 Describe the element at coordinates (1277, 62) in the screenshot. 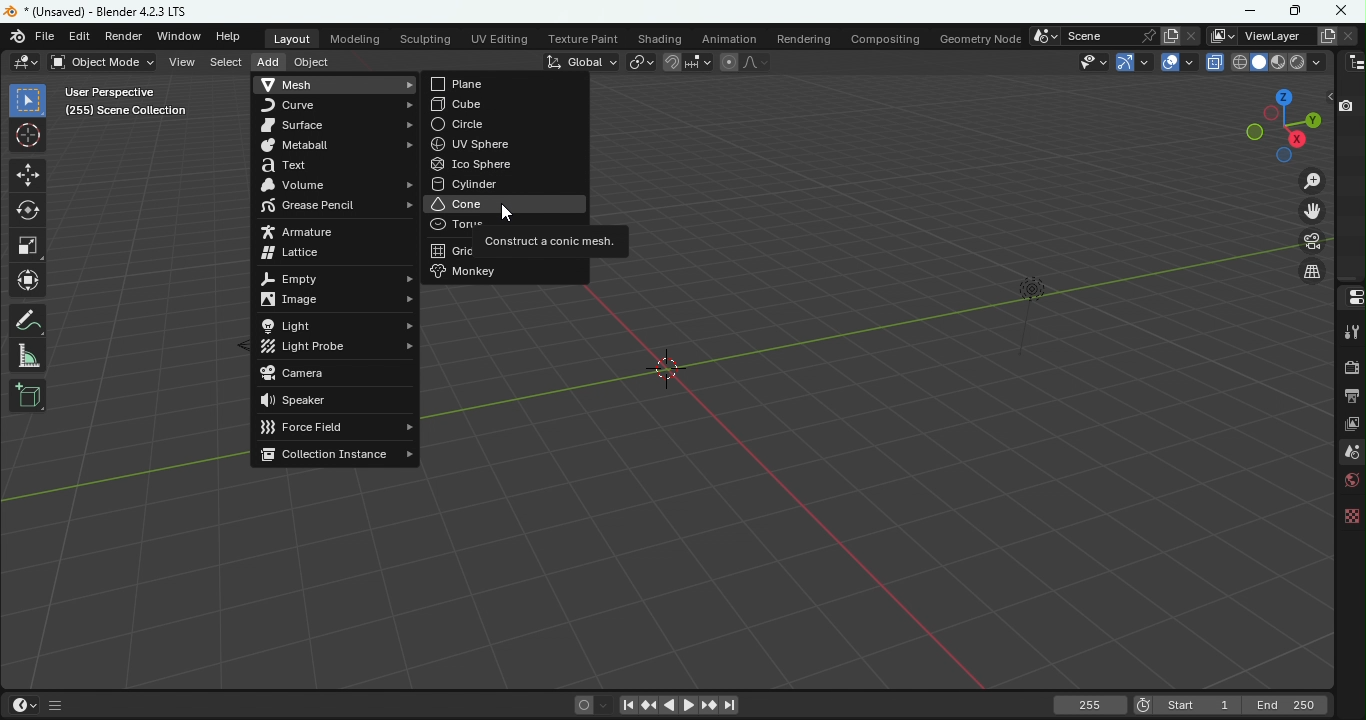

I see `Viewport shading: Material preview` at that location.